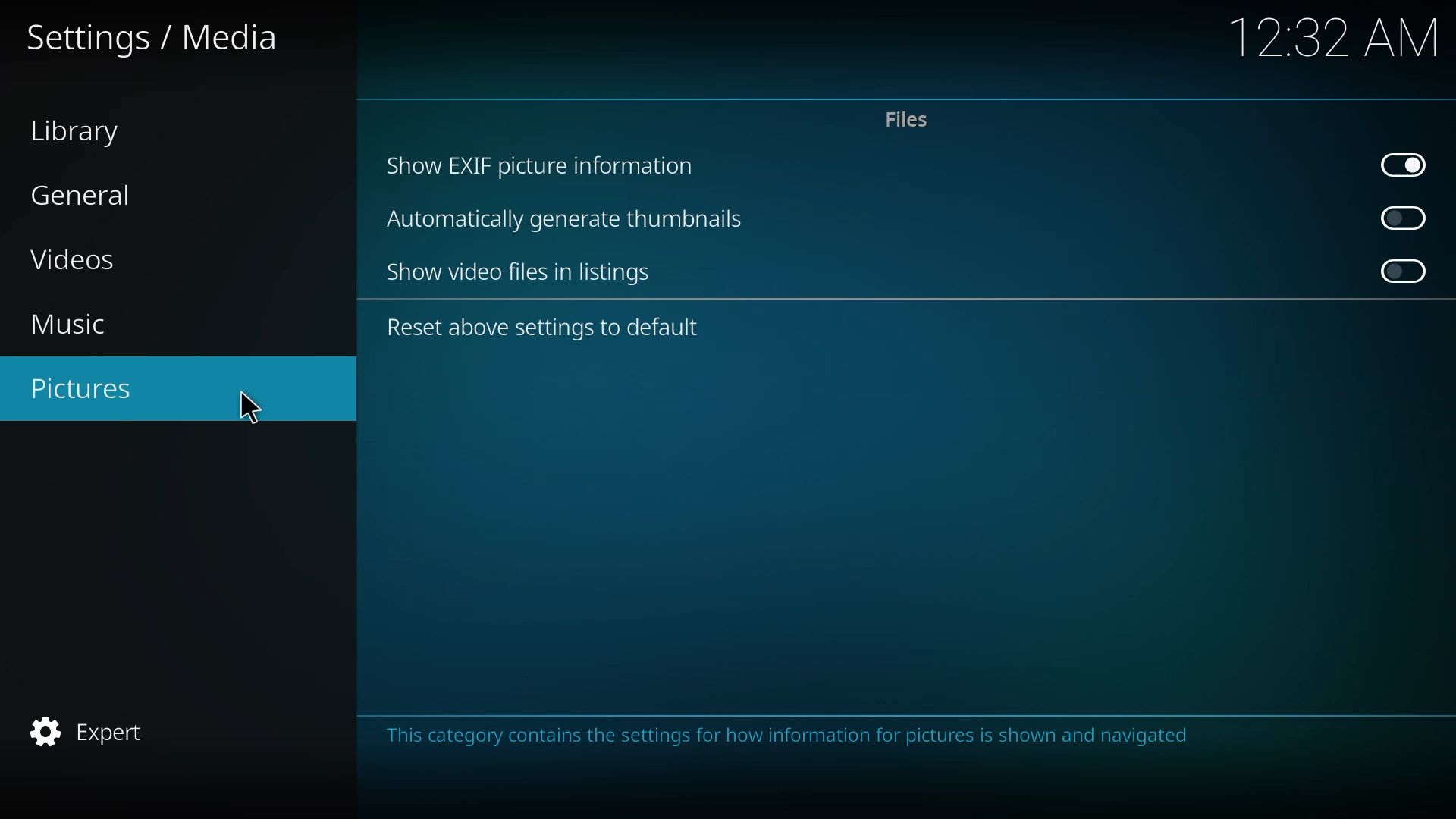  Describe the element at coordinates (544, 165) in the screenshot. I see `show exif picture info` at that location.